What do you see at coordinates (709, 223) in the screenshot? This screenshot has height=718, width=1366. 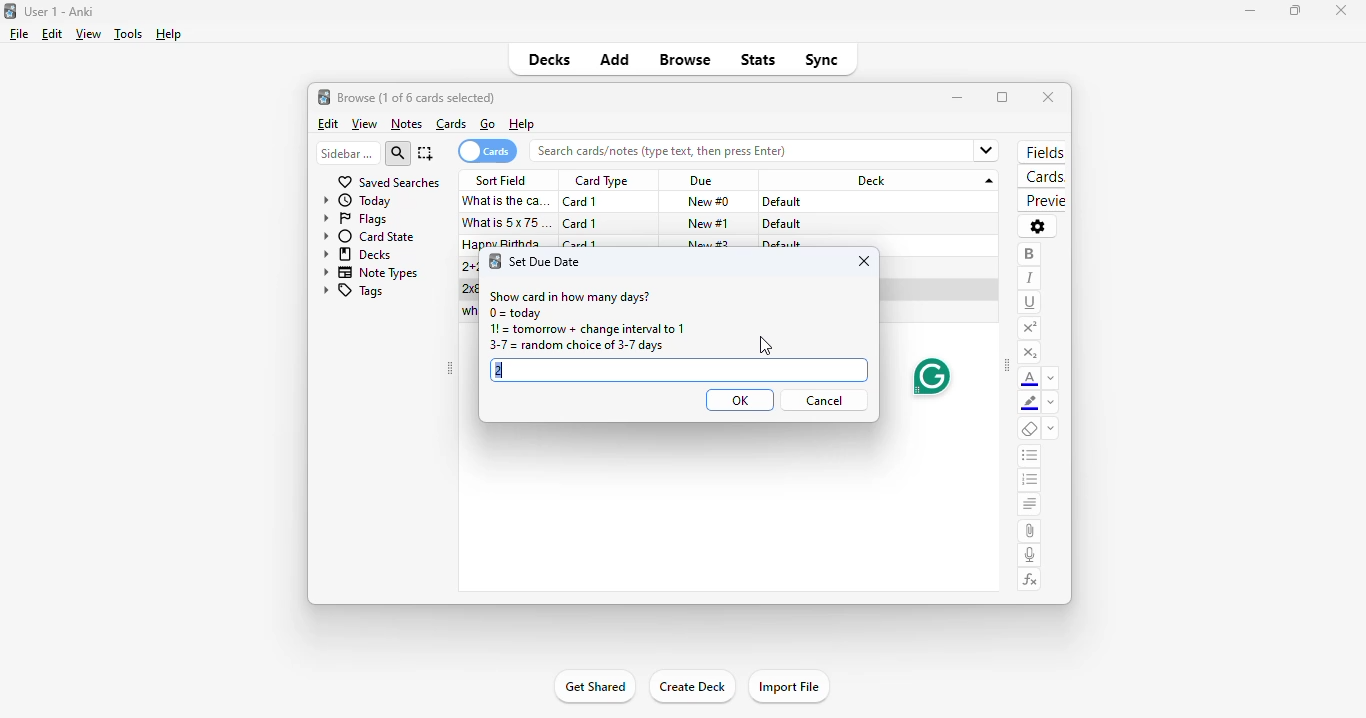 I see `new #1` at bounding box center [709, 223].